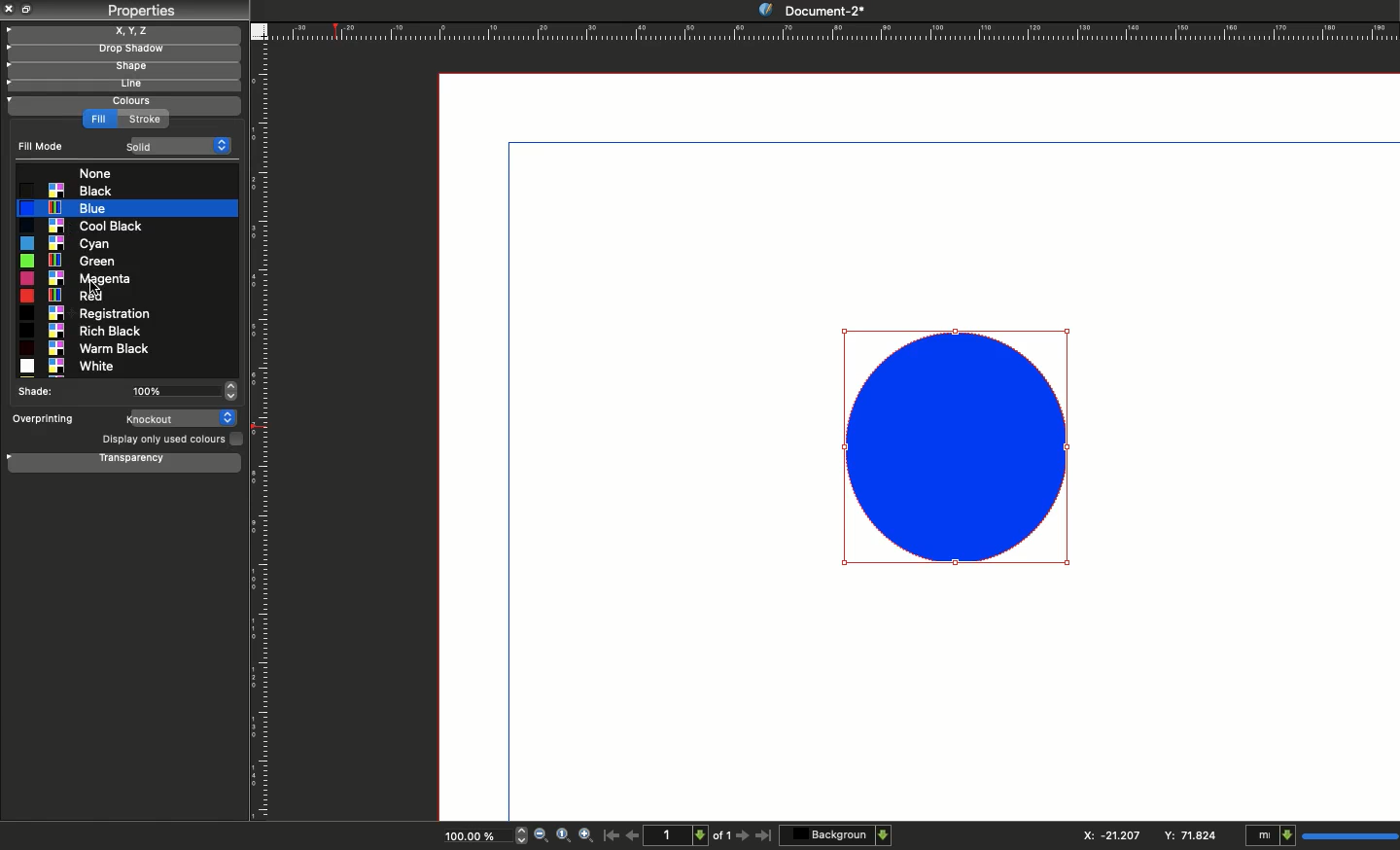 The image size is (1400, 850). I want to click on Fill, so click(96, 121).